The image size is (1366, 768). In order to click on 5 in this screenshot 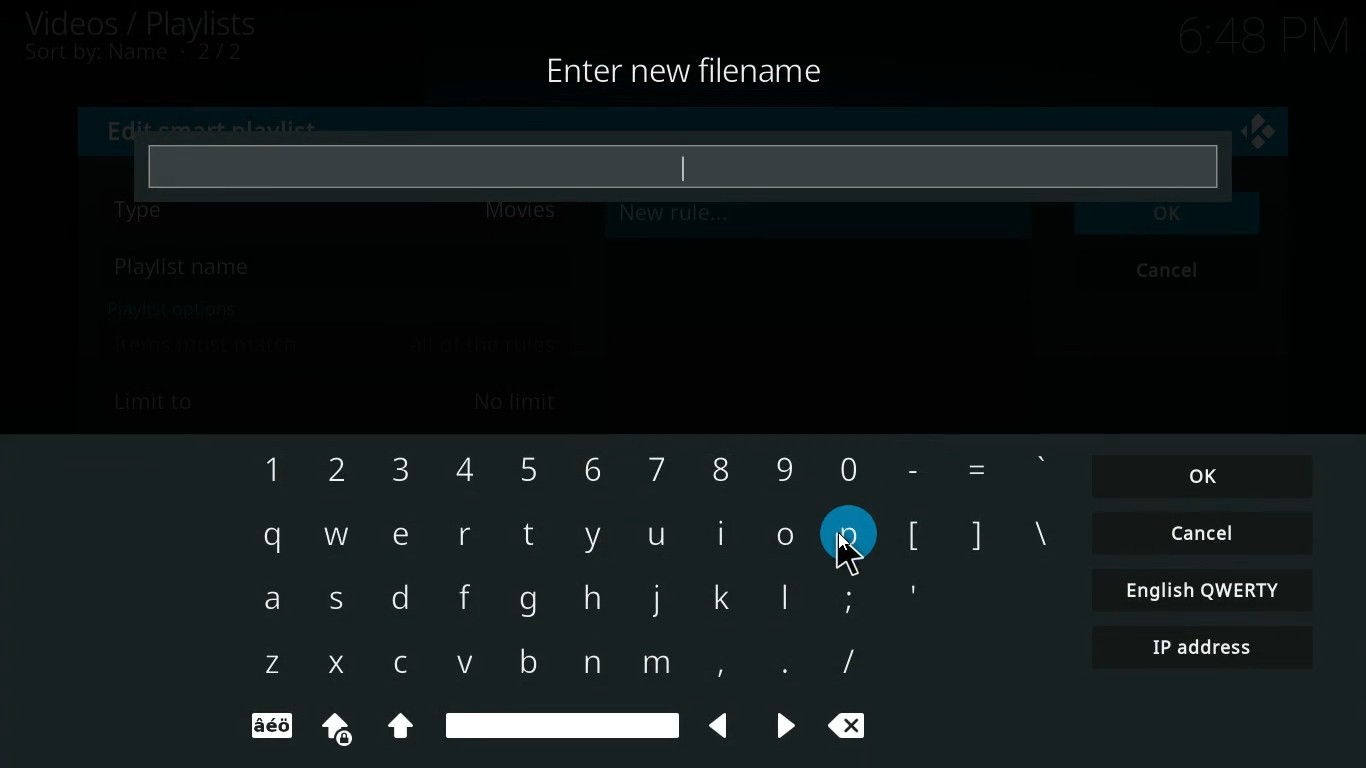, I will do `click(527, 468)`.